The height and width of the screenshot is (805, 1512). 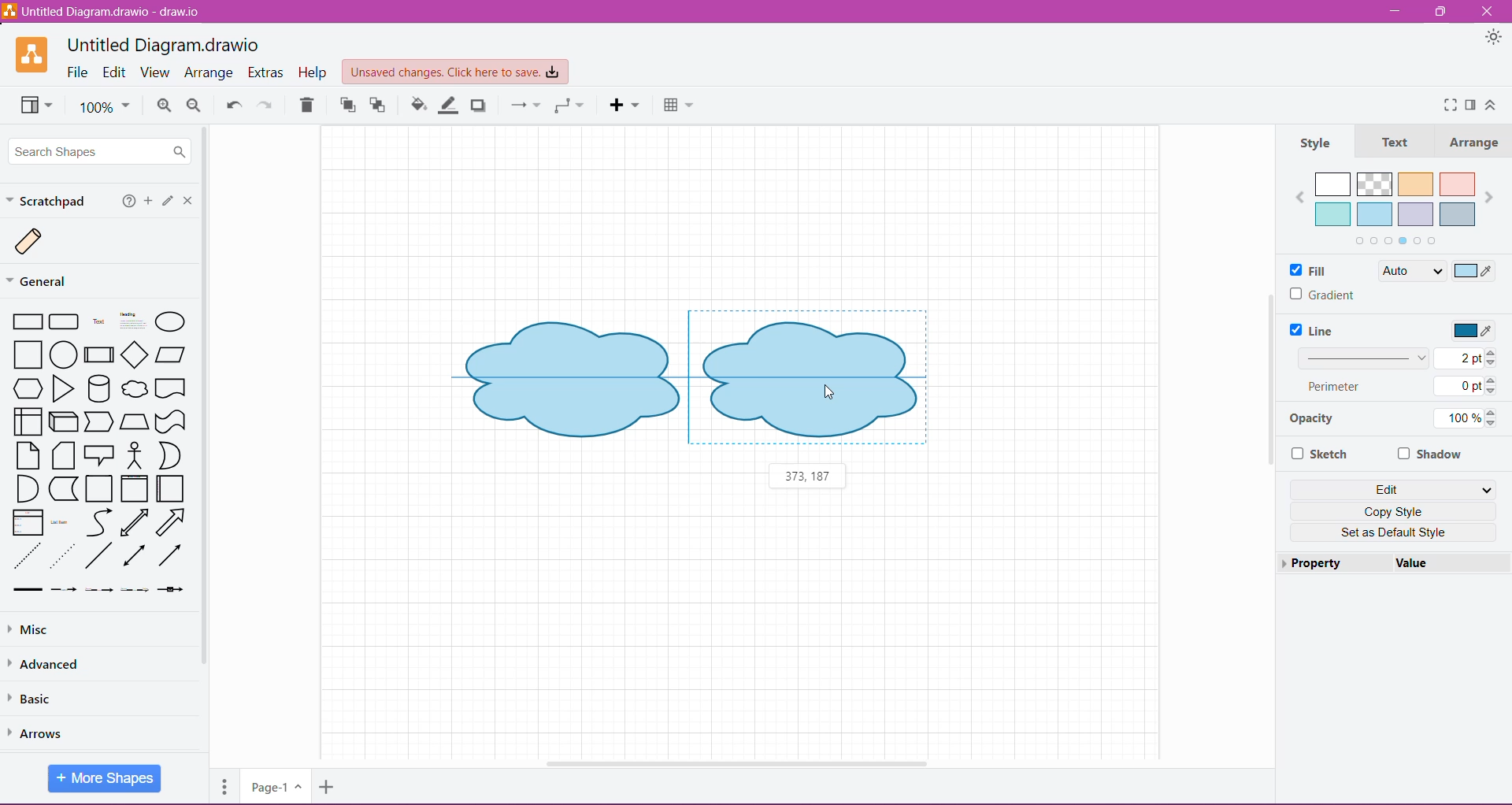 What do you see at coordinates (735, 763) in the screenshot?
I see `Horizontal Scroll Bar` at bounding box center [735, 763].